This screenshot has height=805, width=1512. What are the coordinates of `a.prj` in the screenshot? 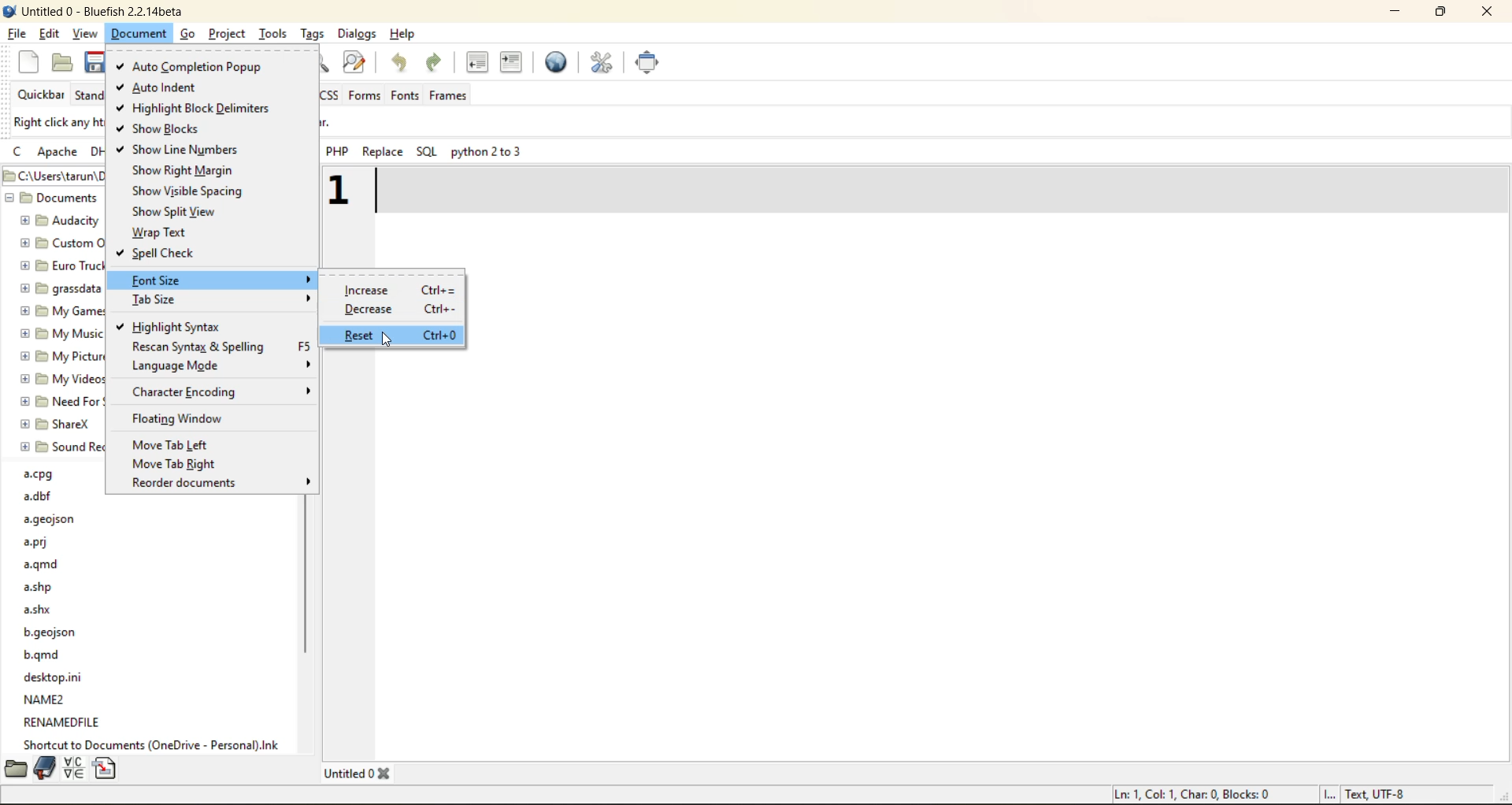 It's located at (39, 542).